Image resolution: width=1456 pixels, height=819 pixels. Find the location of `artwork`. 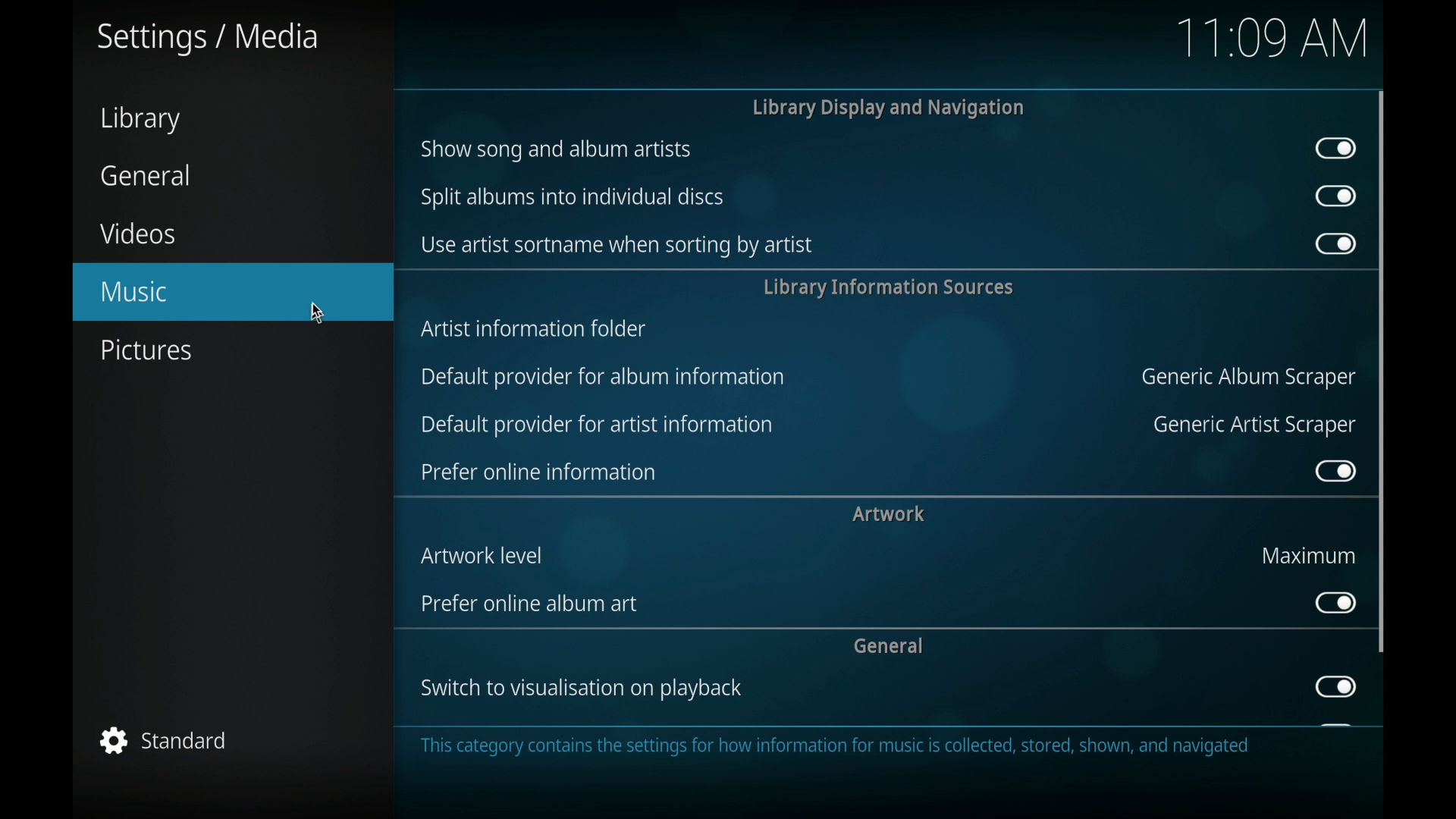

artwork is located at coordinates (889, 513).